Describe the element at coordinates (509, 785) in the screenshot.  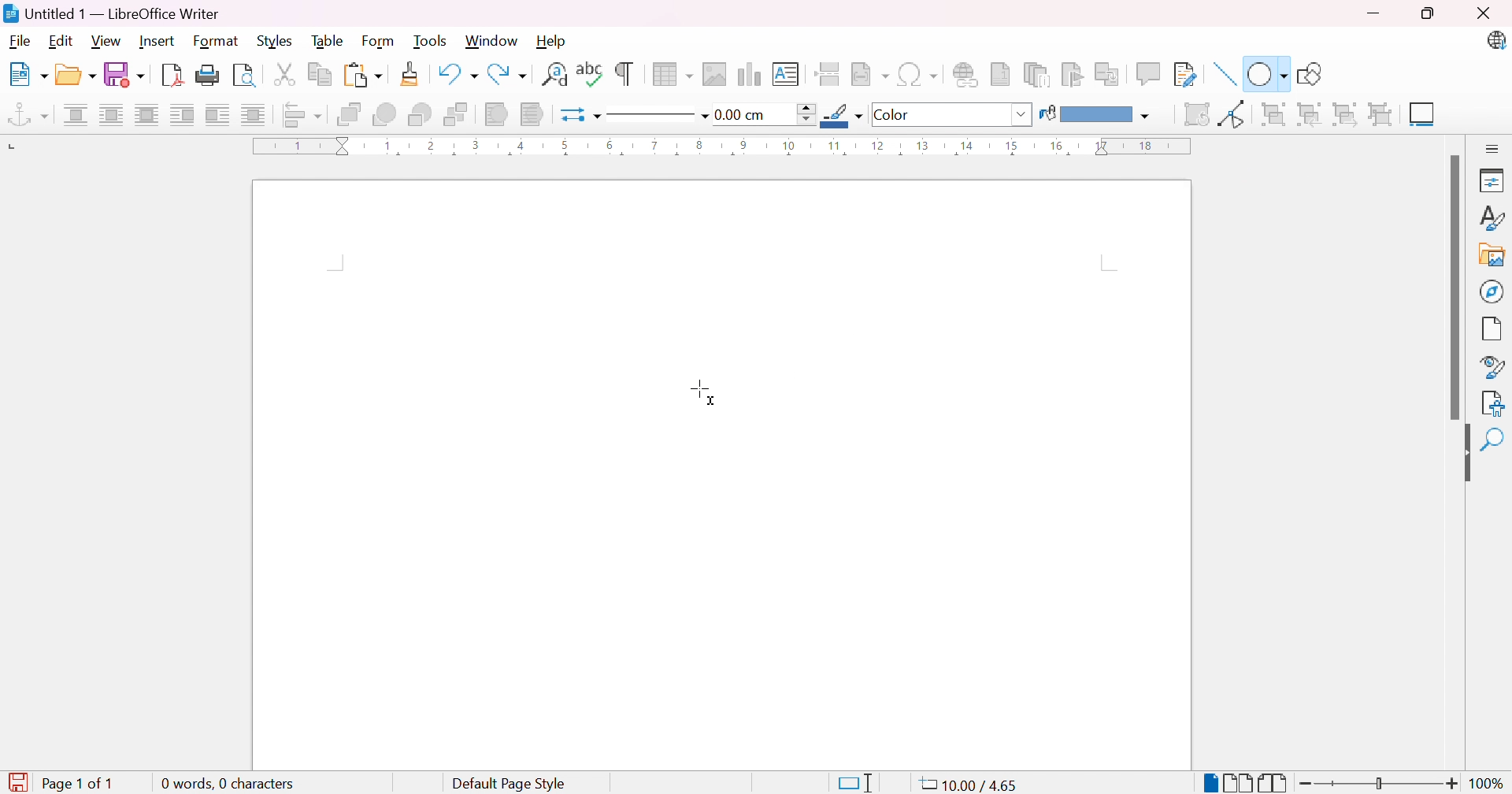
I see `Default Page Style` at that location.